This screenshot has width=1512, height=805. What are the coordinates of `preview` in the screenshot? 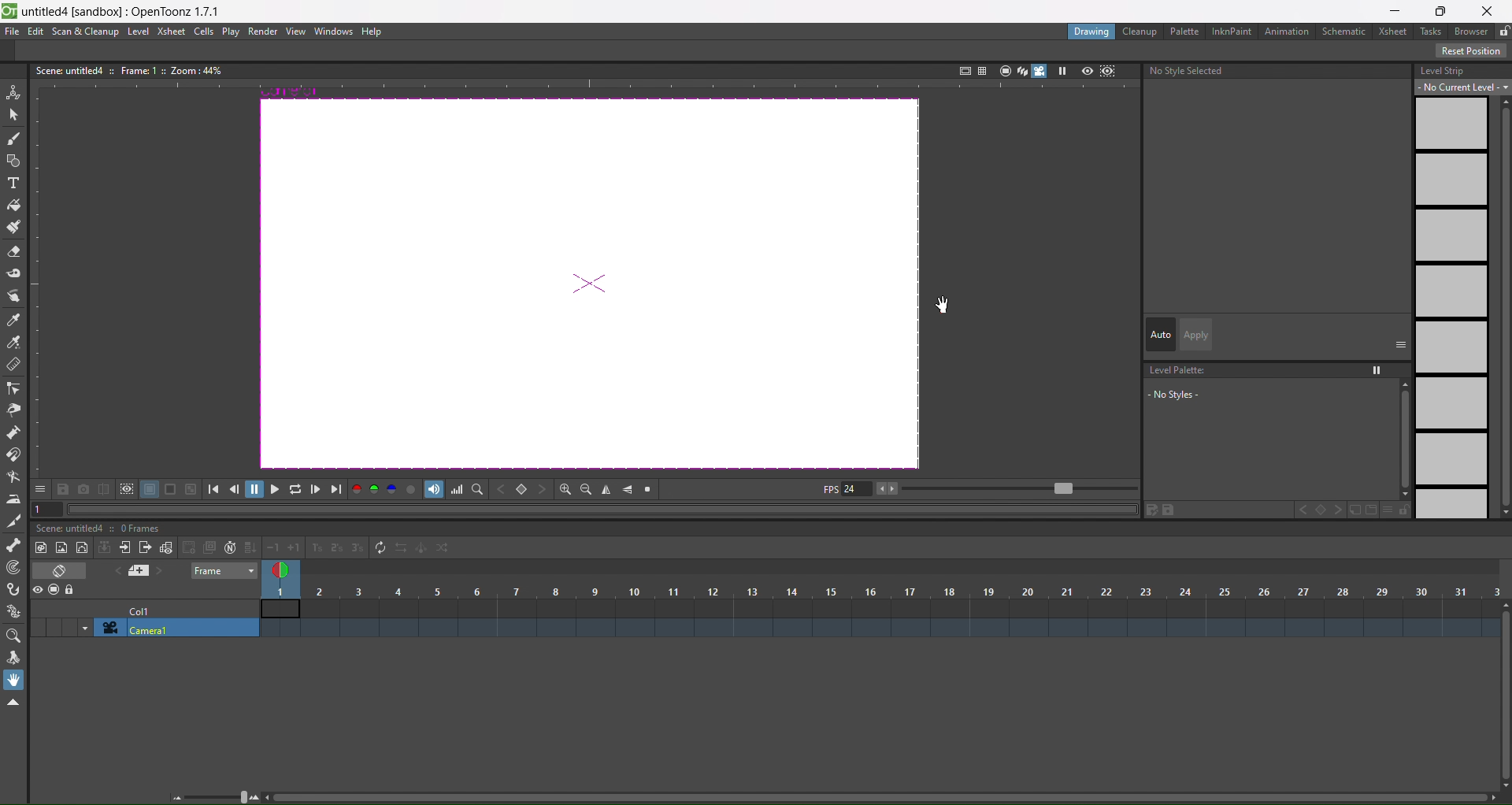 It's located at (1087, 70).